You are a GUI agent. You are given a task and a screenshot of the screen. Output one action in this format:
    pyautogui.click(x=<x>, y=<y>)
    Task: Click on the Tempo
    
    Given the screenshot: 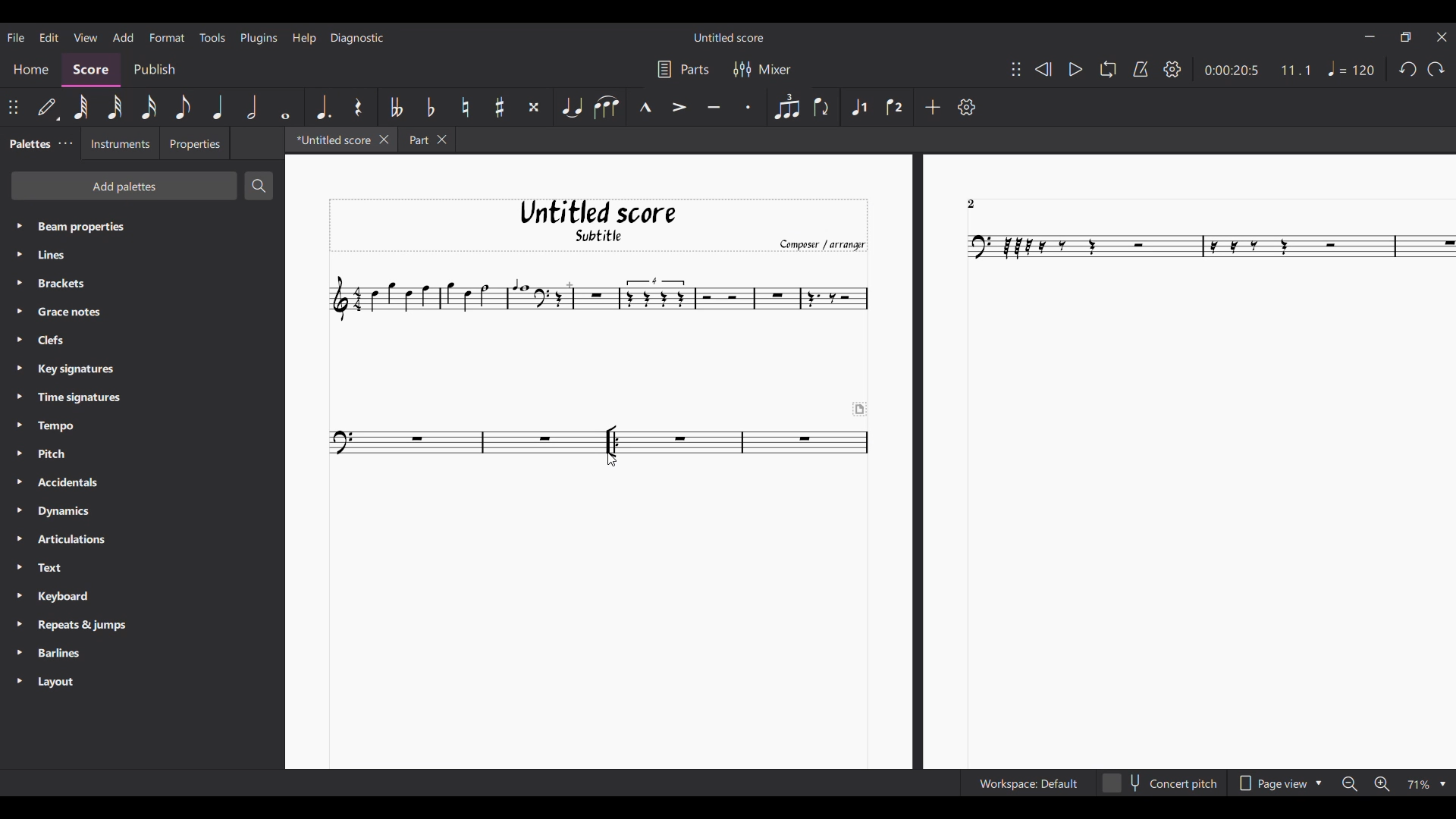 What is the action you would take?
    pyautogui.click(x=1351, y=68)
    